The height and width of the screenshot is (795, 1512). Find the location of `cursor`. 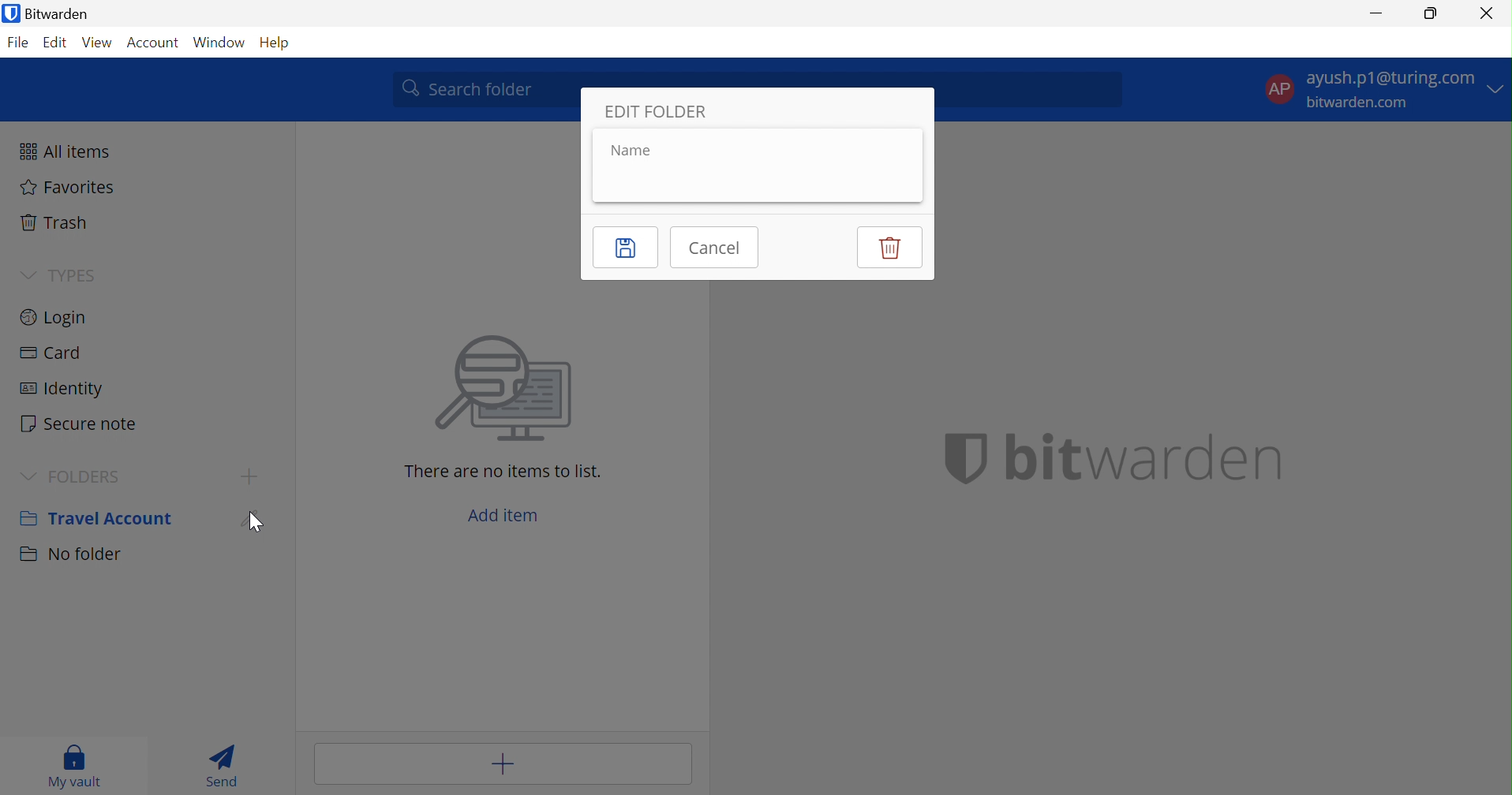

cursor is located at coordinates (254, 526).